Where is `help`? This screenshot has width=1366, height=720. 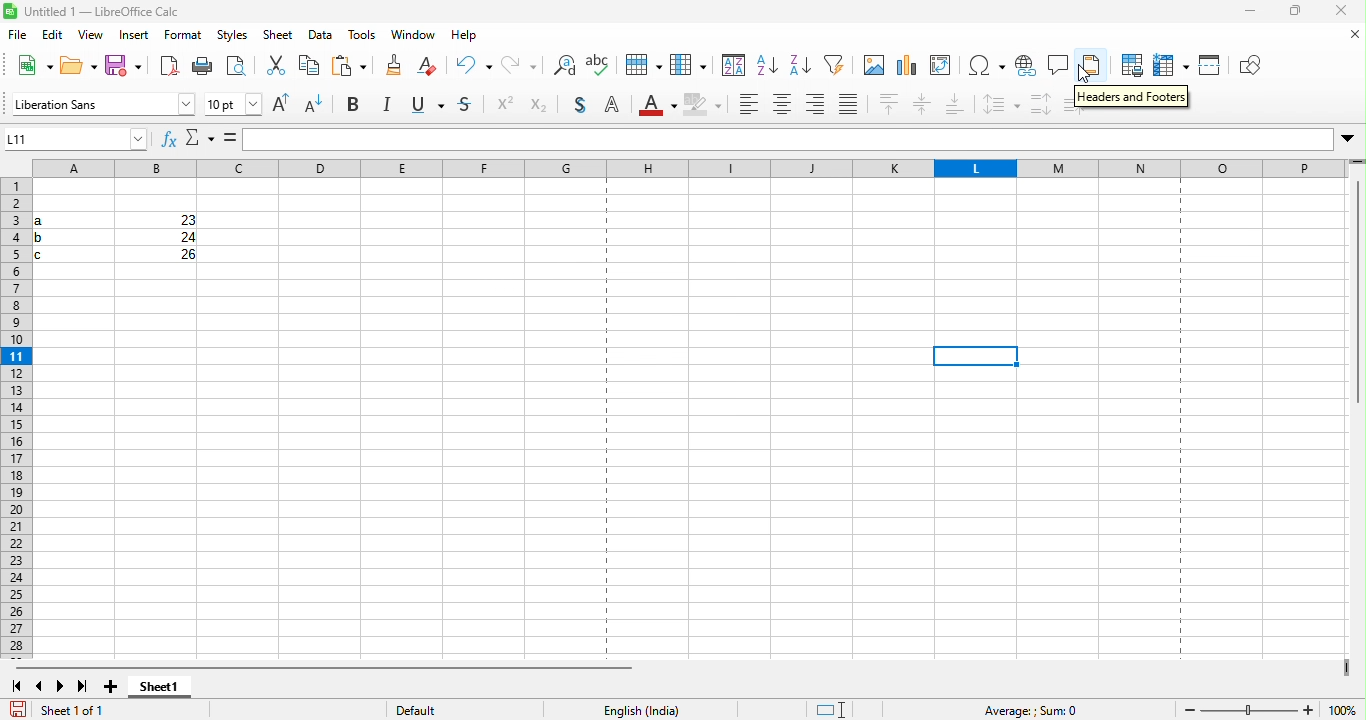 help is located at coordinates (461, 37).